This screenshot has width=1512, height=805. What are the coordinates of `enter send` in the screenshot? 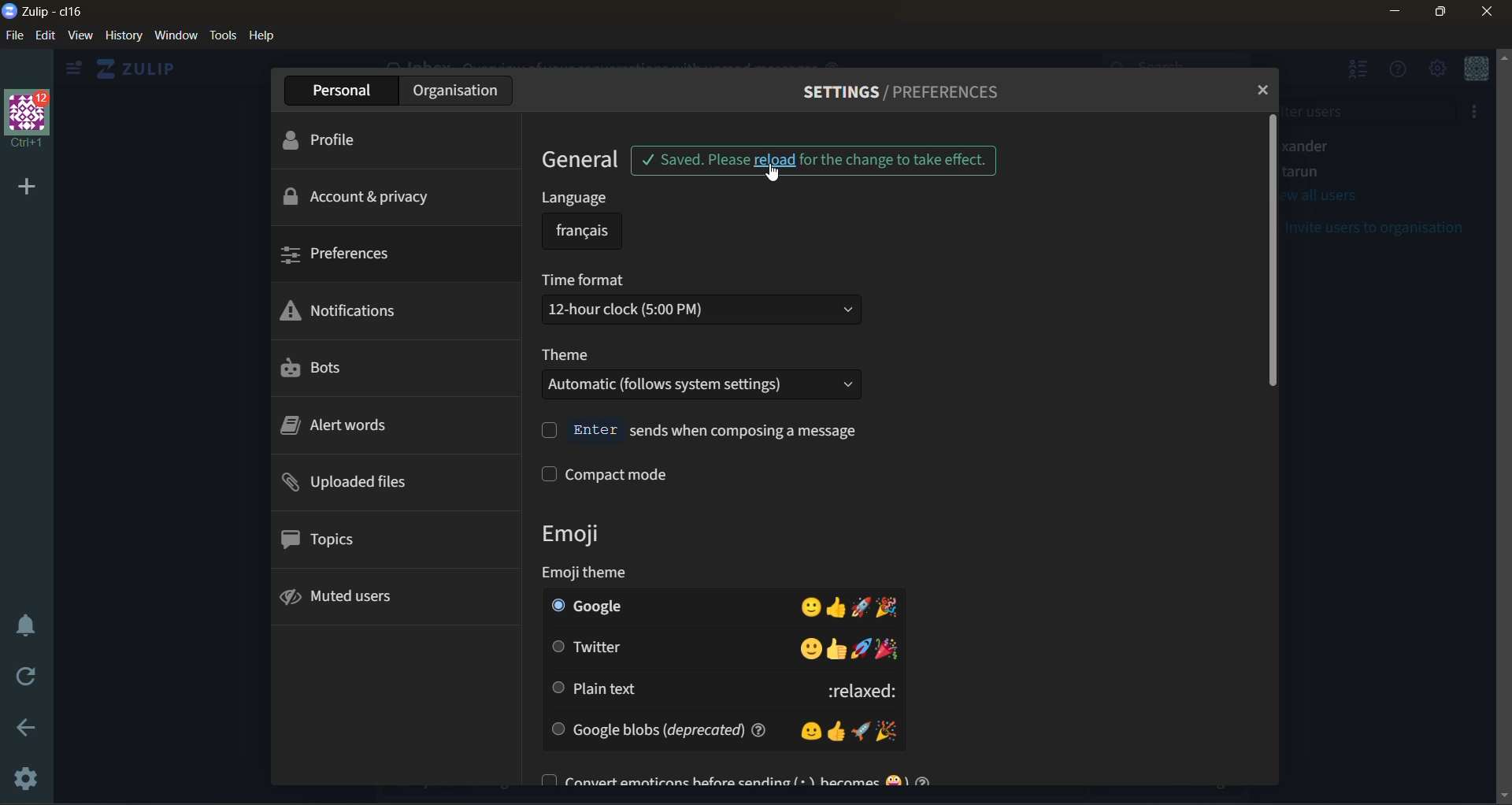 It's located at (707, 430).